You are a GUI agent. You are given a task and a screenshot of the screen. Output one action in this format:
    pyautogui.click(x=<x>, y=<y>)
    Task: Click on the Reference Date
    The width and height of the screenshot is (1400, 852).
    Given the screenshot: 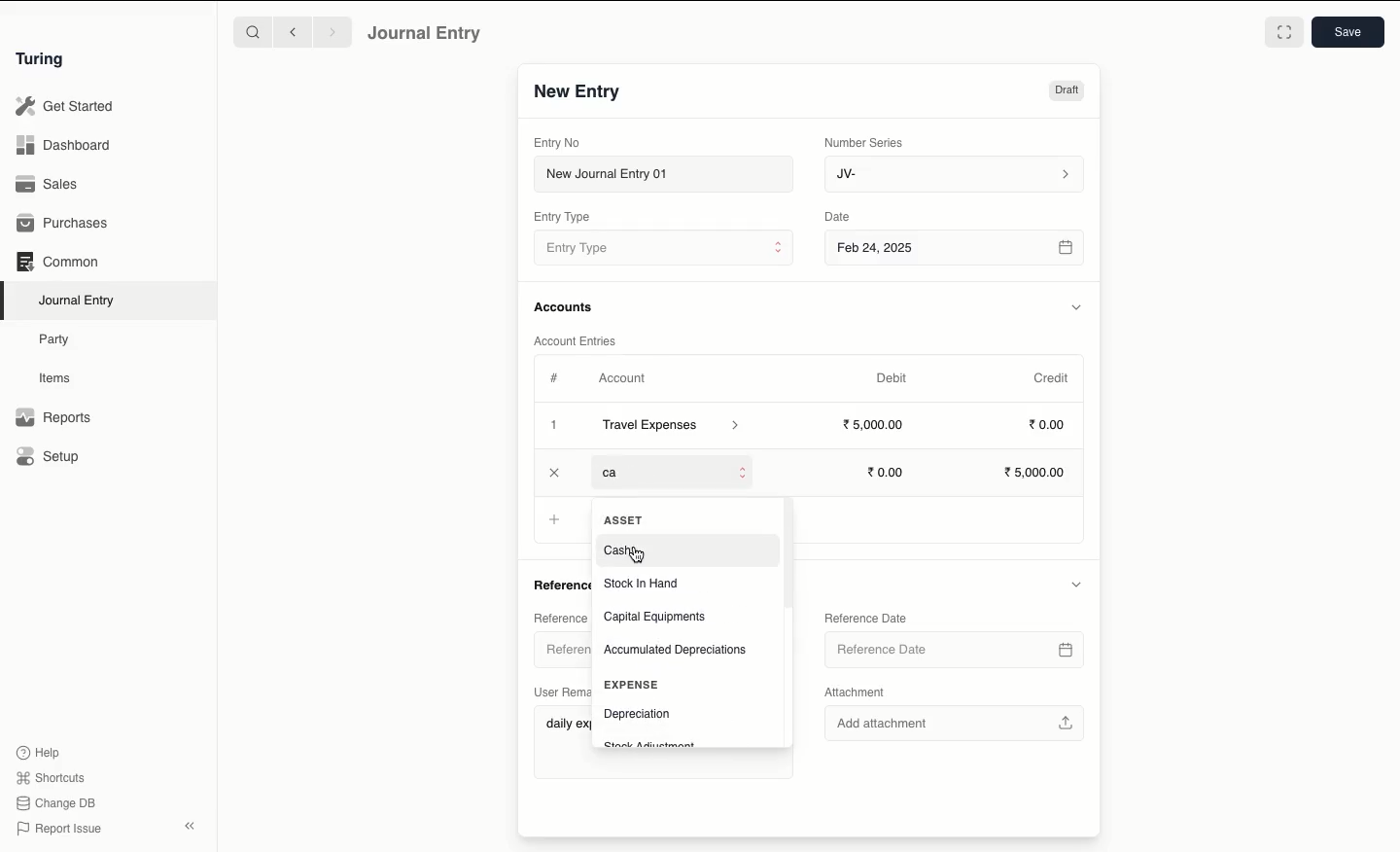 What is the action you would take?
    pyautogui.click(x=955, y=652)
    